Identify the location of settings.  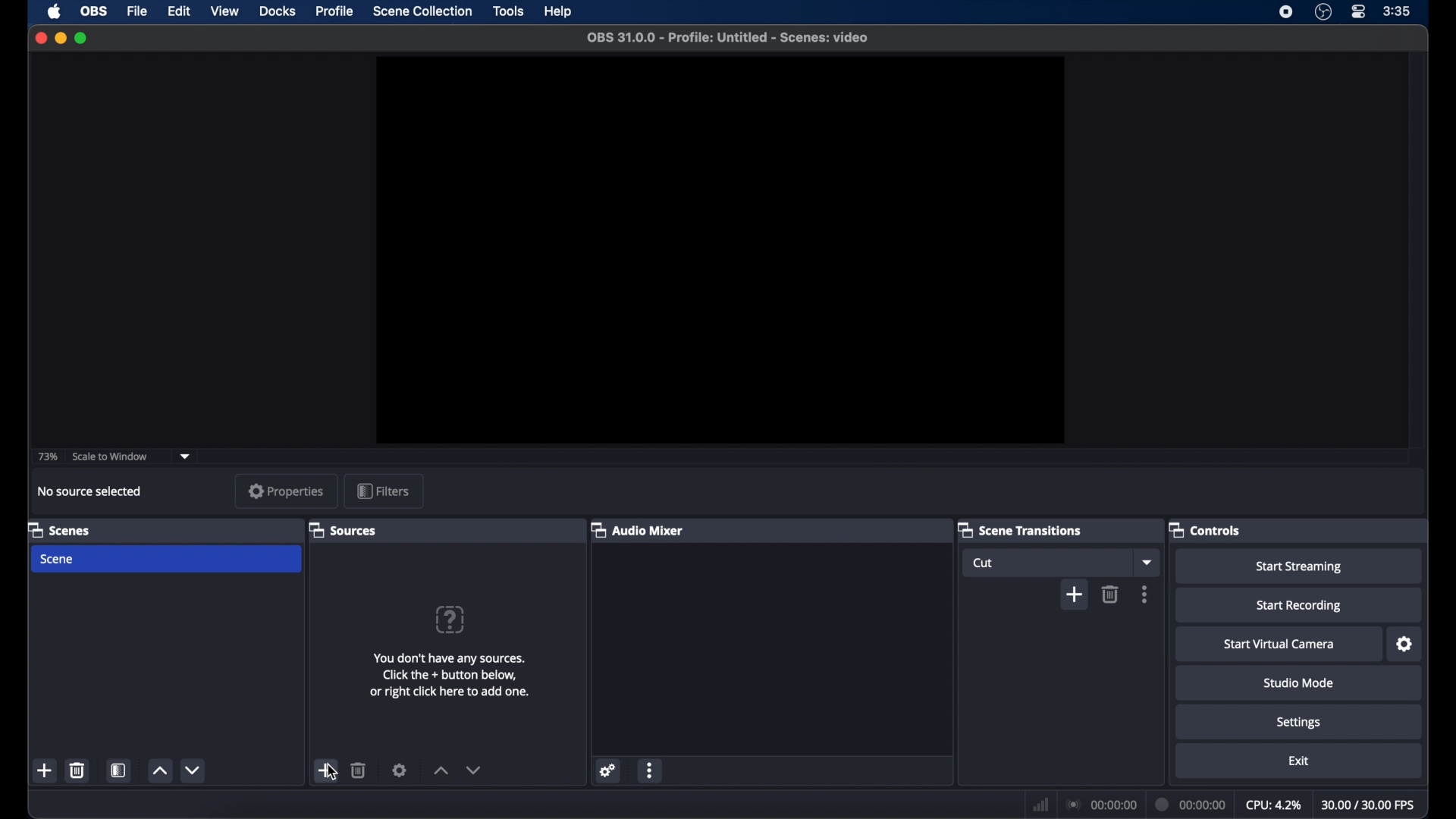
(1298, 723).